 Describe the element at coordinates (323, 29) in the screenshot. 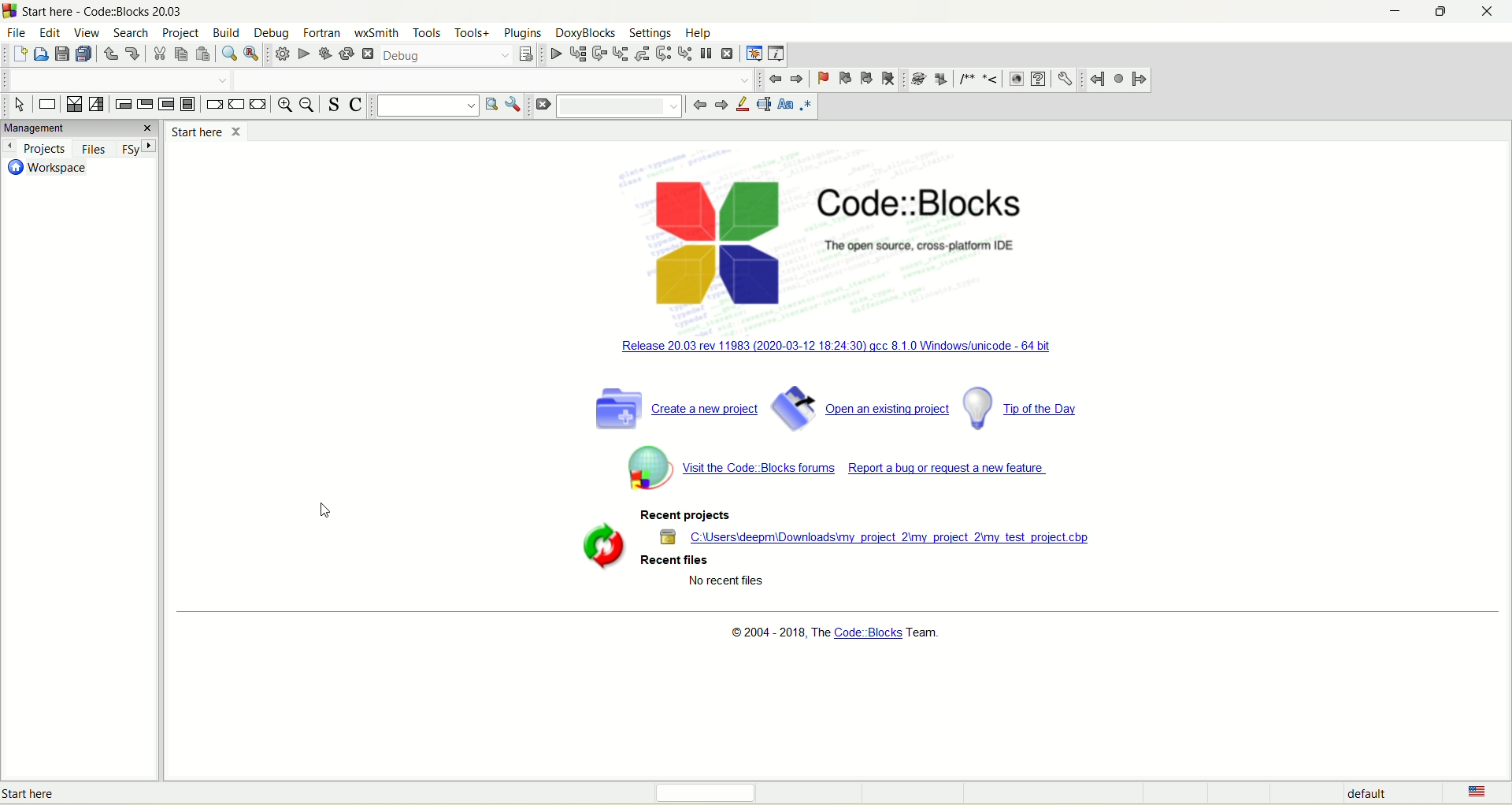

I see `fortran` at that location.